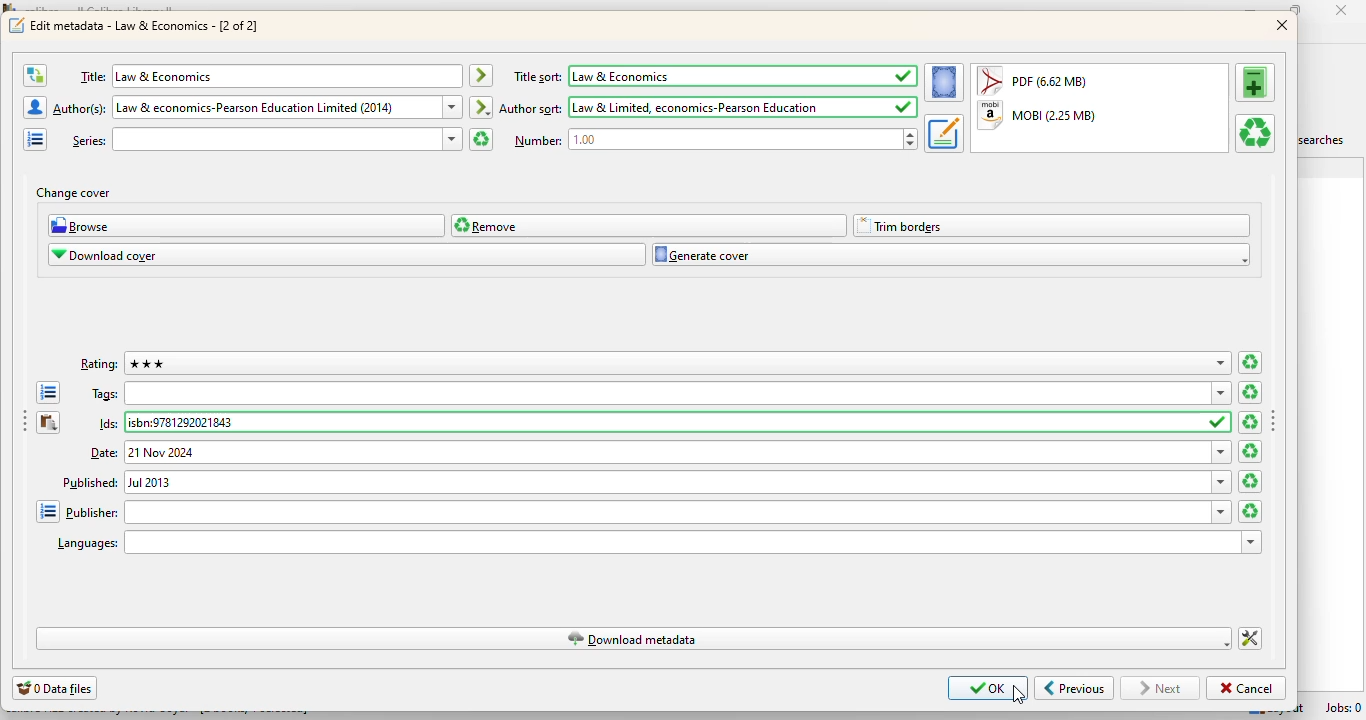 The image size is (1366, 720). Describe the element at coordinates (1249, 392) in the screenshot. I see `clear all tags` at that location.